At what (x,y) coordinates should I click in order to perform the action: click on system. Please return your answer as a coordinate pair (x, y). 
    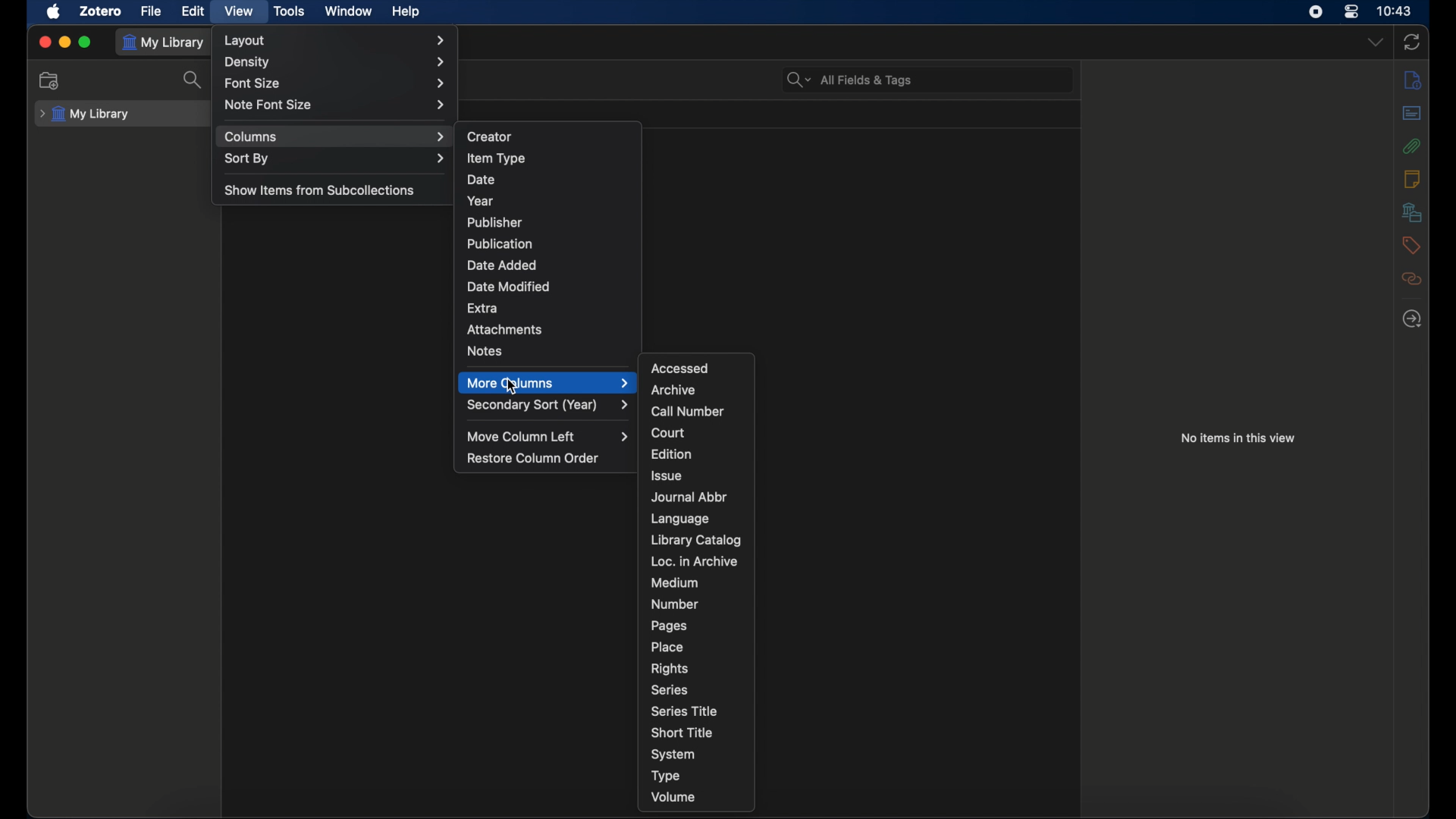
    Looking at the image, I should click on (673, 755).